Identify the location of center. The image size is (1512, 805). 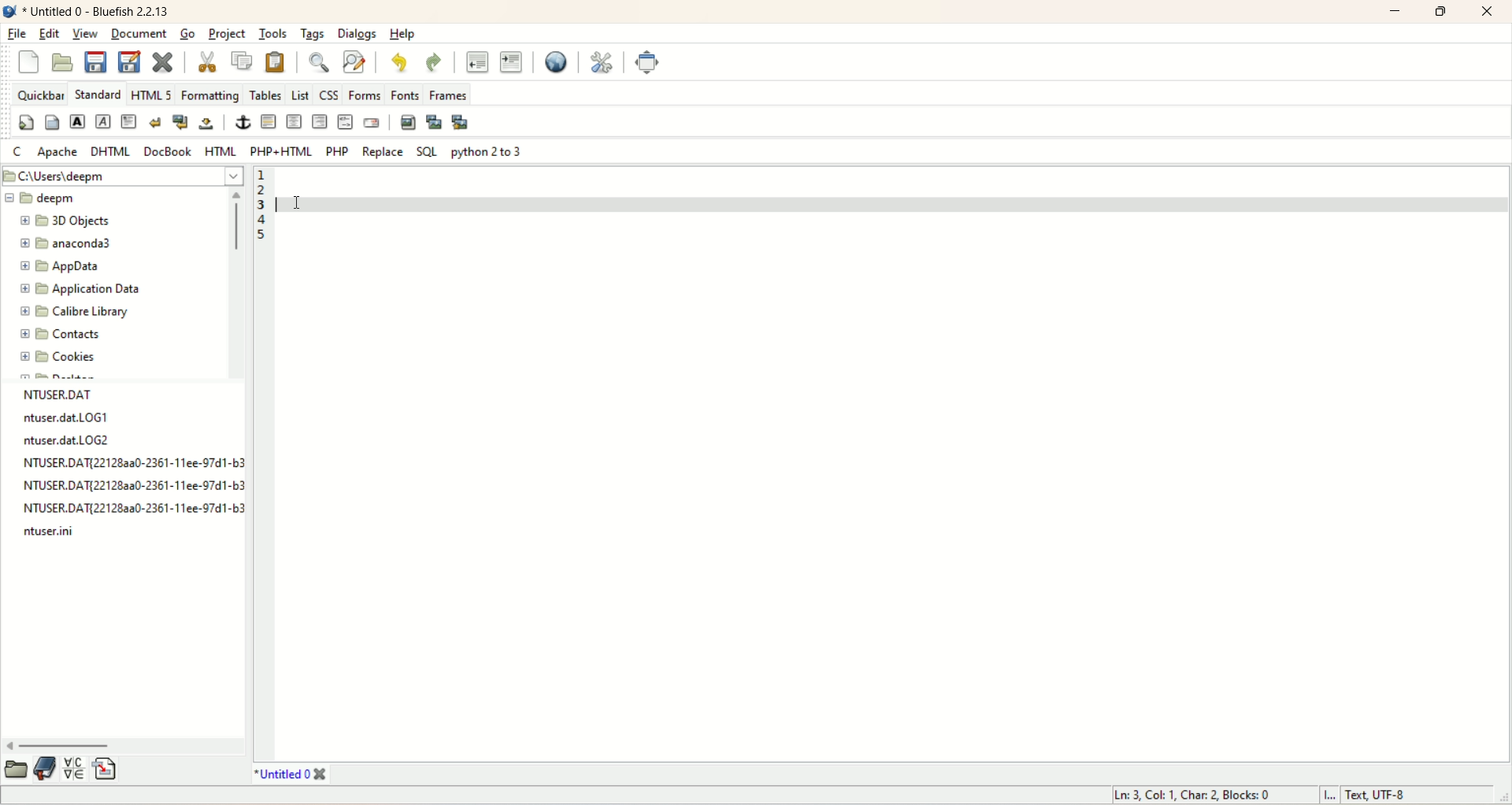
(294, 121).